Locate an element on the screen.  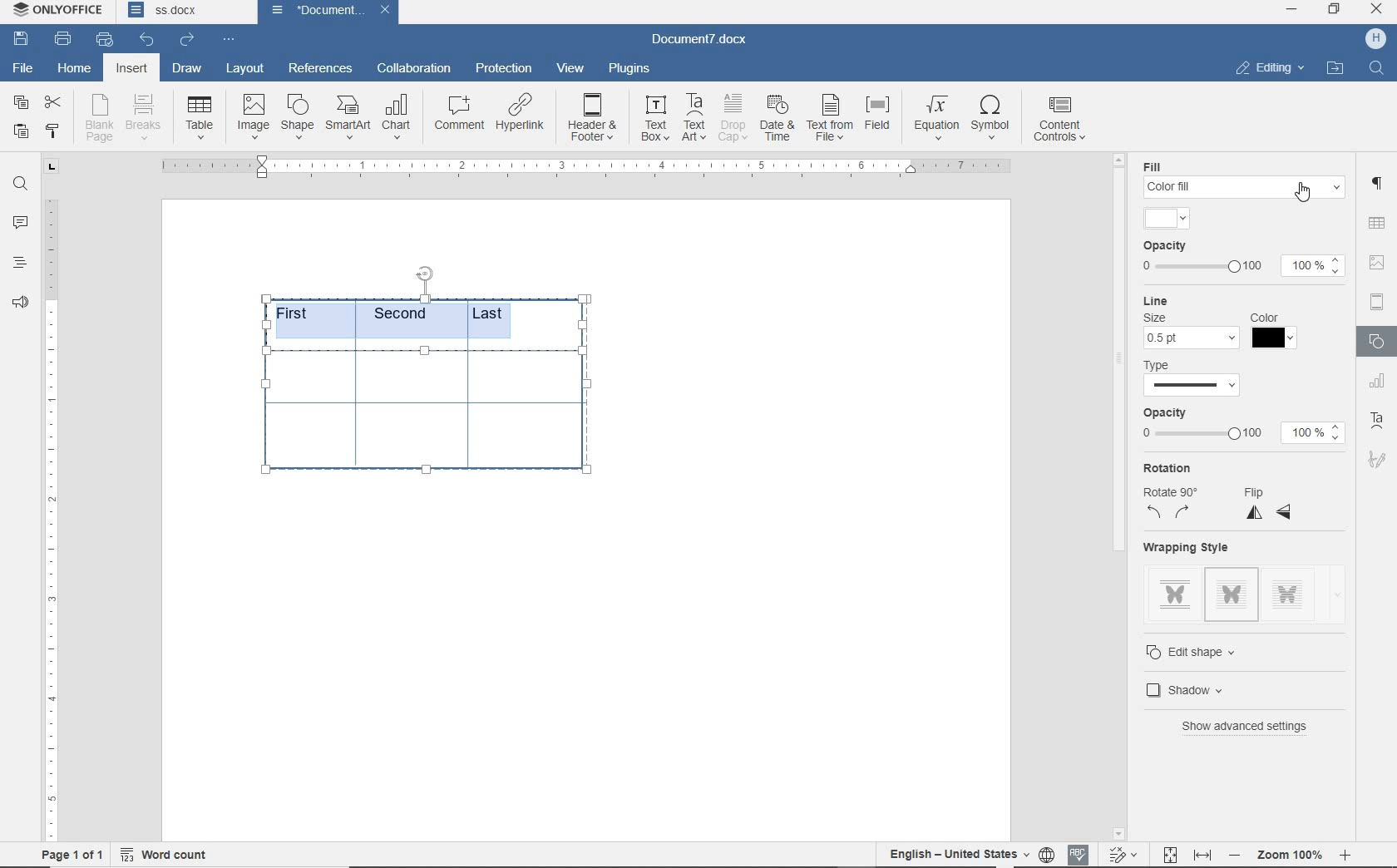
close is located at coordinates (385, 11).